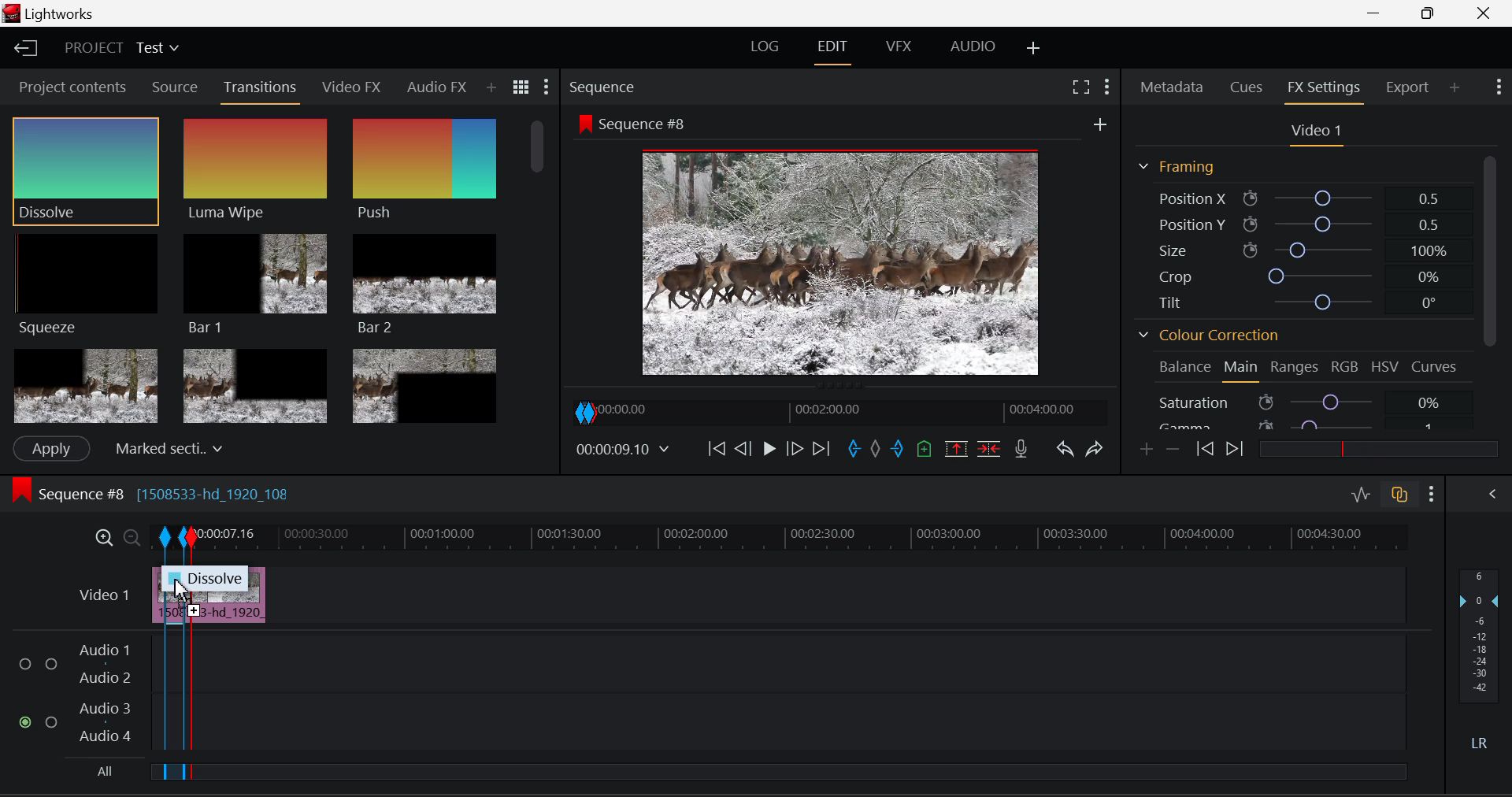  I want to click on Audio Input Checkbox, so click(52, 721).